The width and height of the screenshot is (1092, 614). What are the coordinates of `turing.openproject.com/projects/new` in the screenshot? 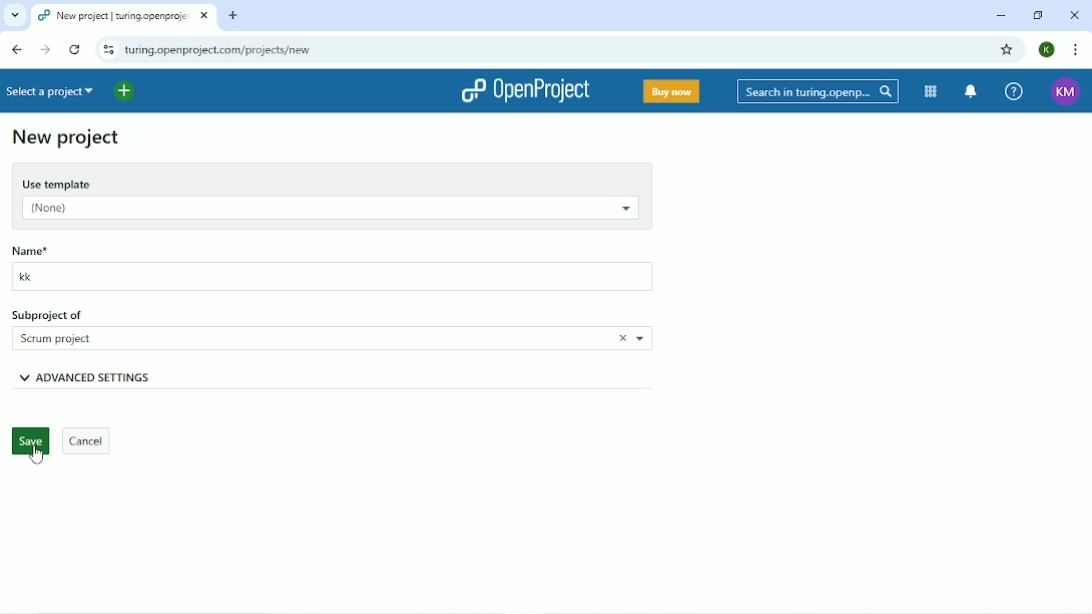 It's located at (248, 49).